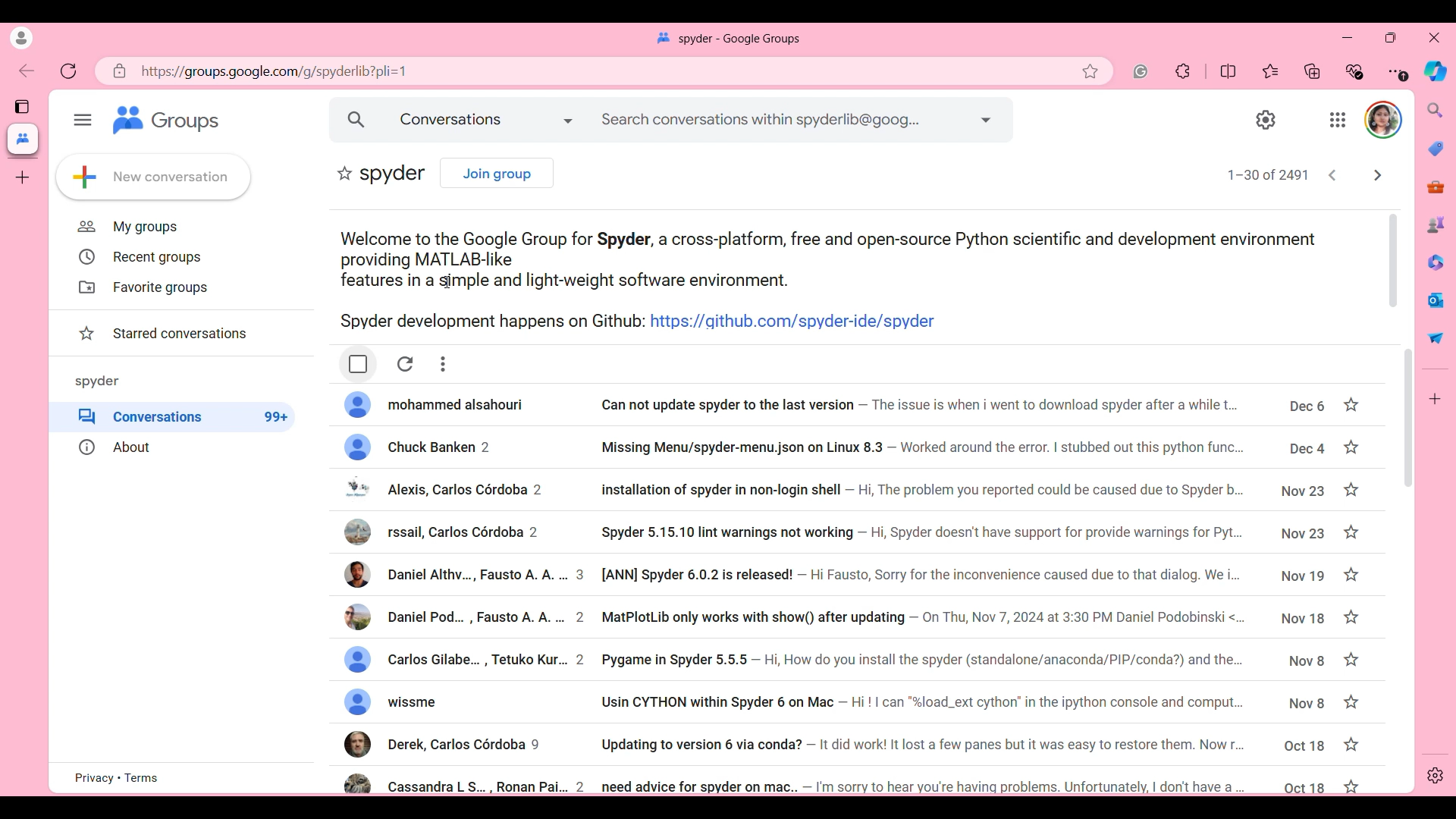 The height and width of the screenshot is (819, 1456). I want to click on Current count w.r.t. total count, so click(1268, 174).